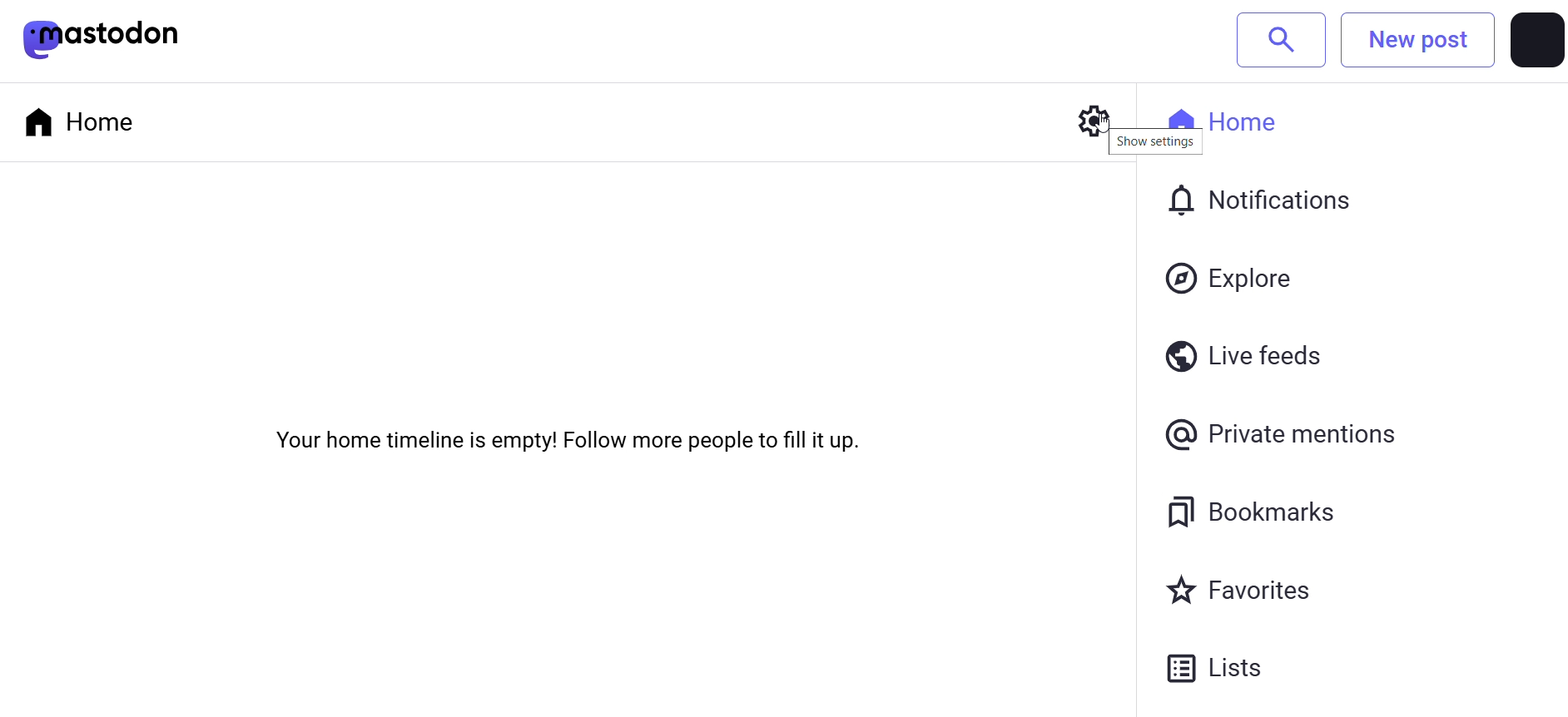 This screenshot has width=1568, height=717. What do you see at coordinates (1238, 590) in the screenshot?
I see `favorites` at bounding box center [1238, 590].